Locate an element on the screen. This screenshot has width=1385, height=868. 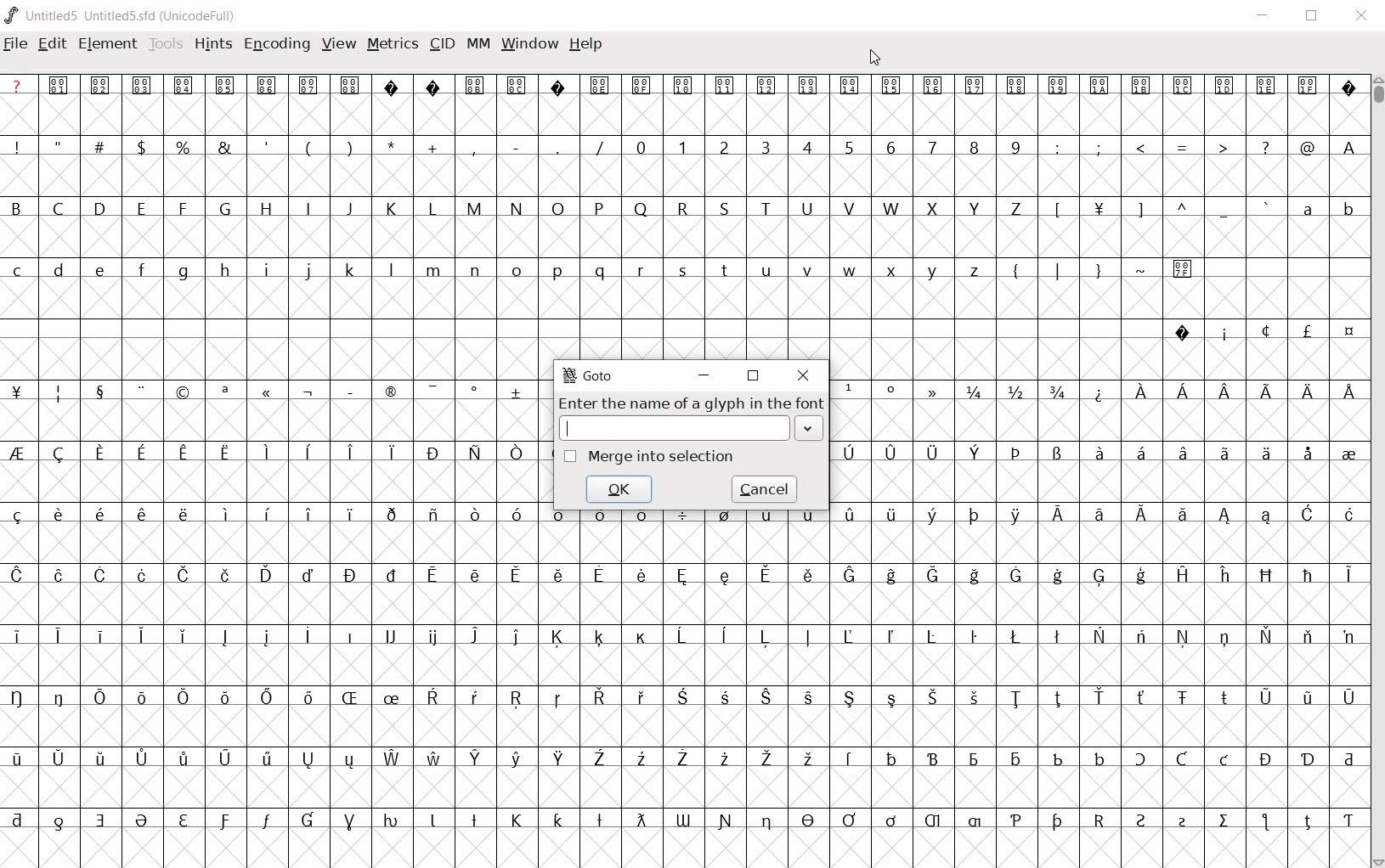
Symbol is located at coordinates (140, 391).